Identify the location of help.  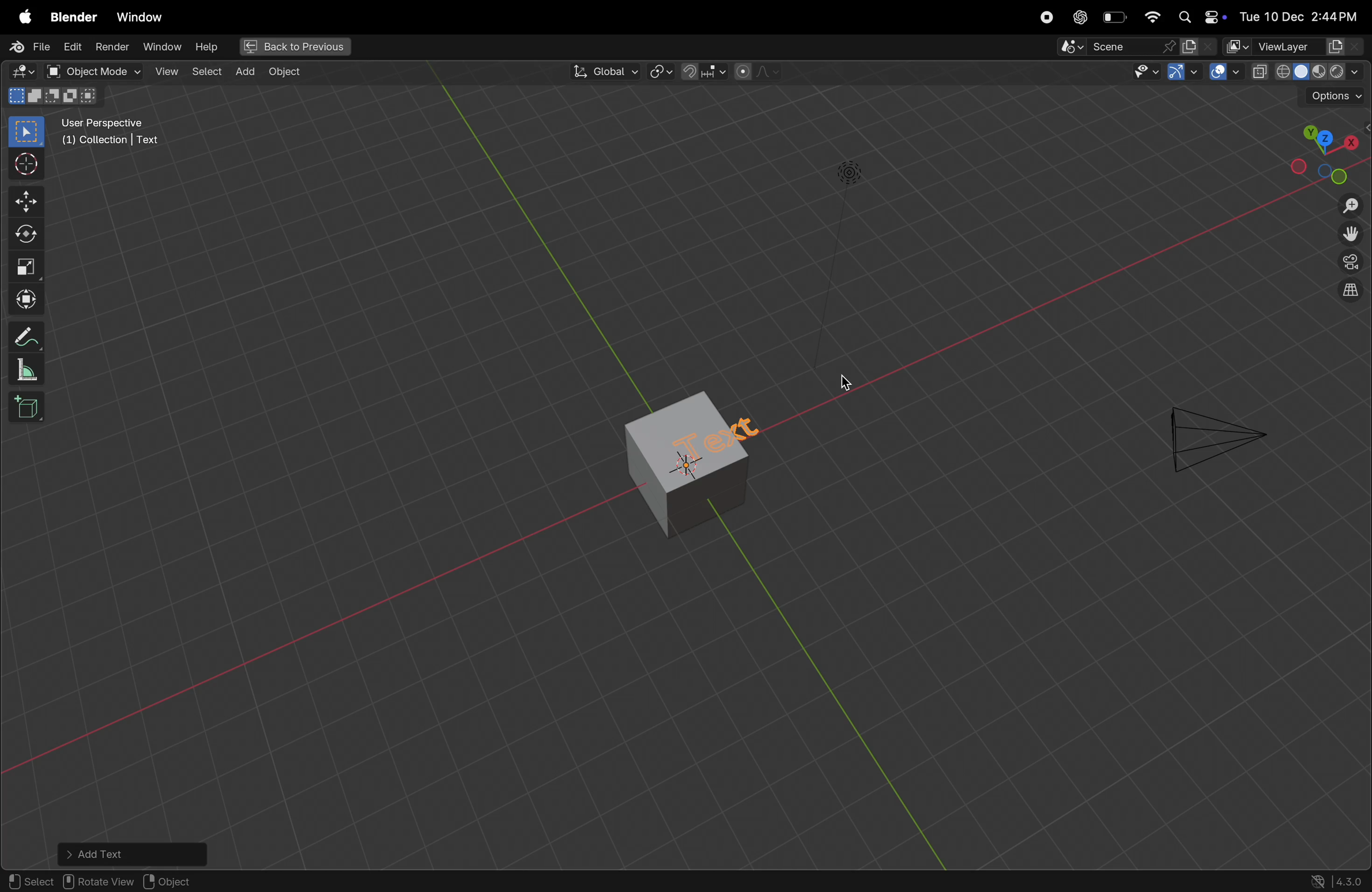
(212, 46).